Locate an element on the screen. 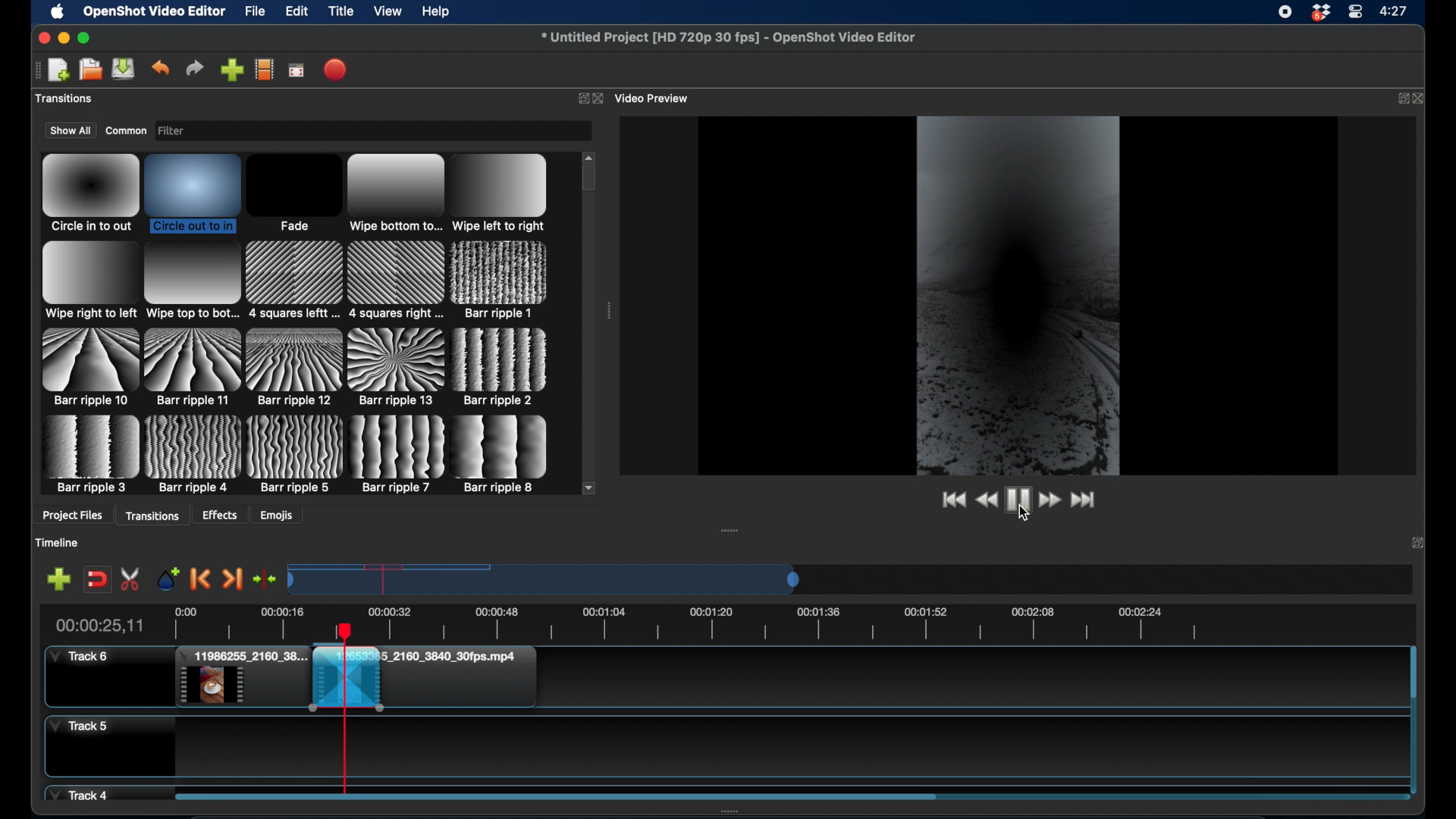 This screenshot has width=1456, height=819. fast forward is located at coordinates (1049, 500).